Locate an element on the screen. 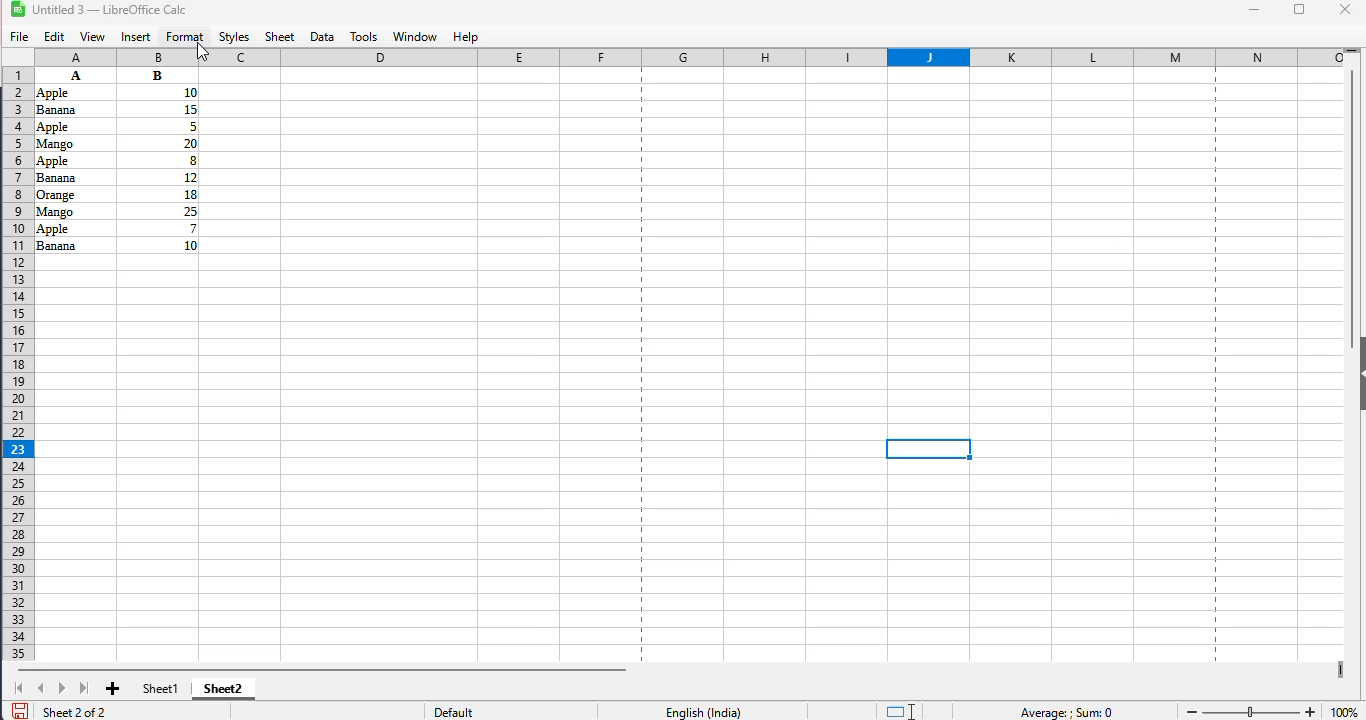   is located at coordinates (158, 142).